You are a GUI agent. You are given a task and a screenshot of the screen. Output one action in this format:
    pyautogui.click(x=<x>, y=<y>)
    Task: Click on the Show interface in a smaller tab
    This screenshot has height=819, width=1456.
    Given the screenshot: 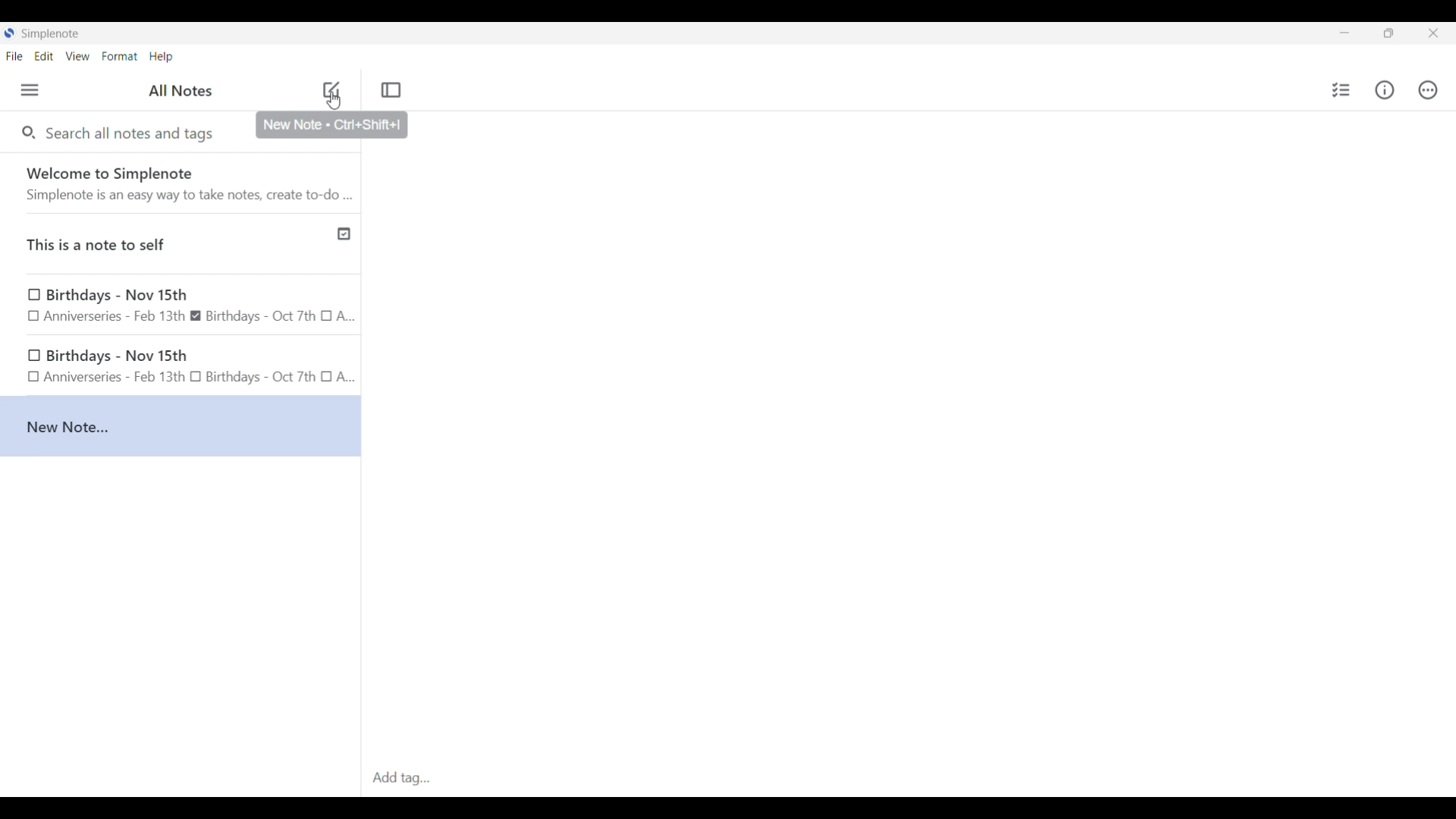 What is the action you would take?
    pyautogui.click(x=1389, y=33)
    